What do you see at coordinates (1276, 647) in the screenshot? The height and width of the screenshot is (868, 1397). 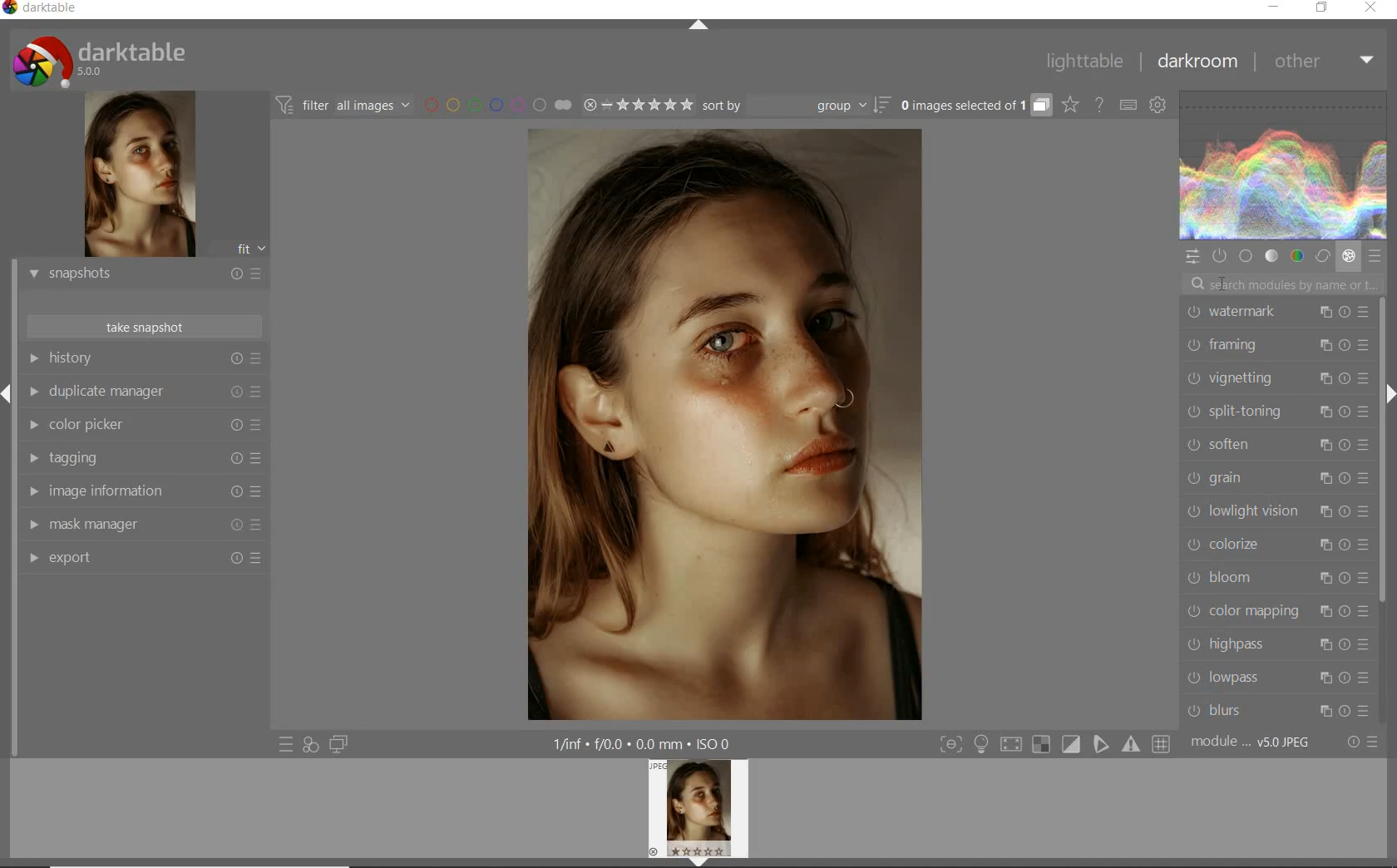 I see `highpass` at bounding box center [1276, 647].